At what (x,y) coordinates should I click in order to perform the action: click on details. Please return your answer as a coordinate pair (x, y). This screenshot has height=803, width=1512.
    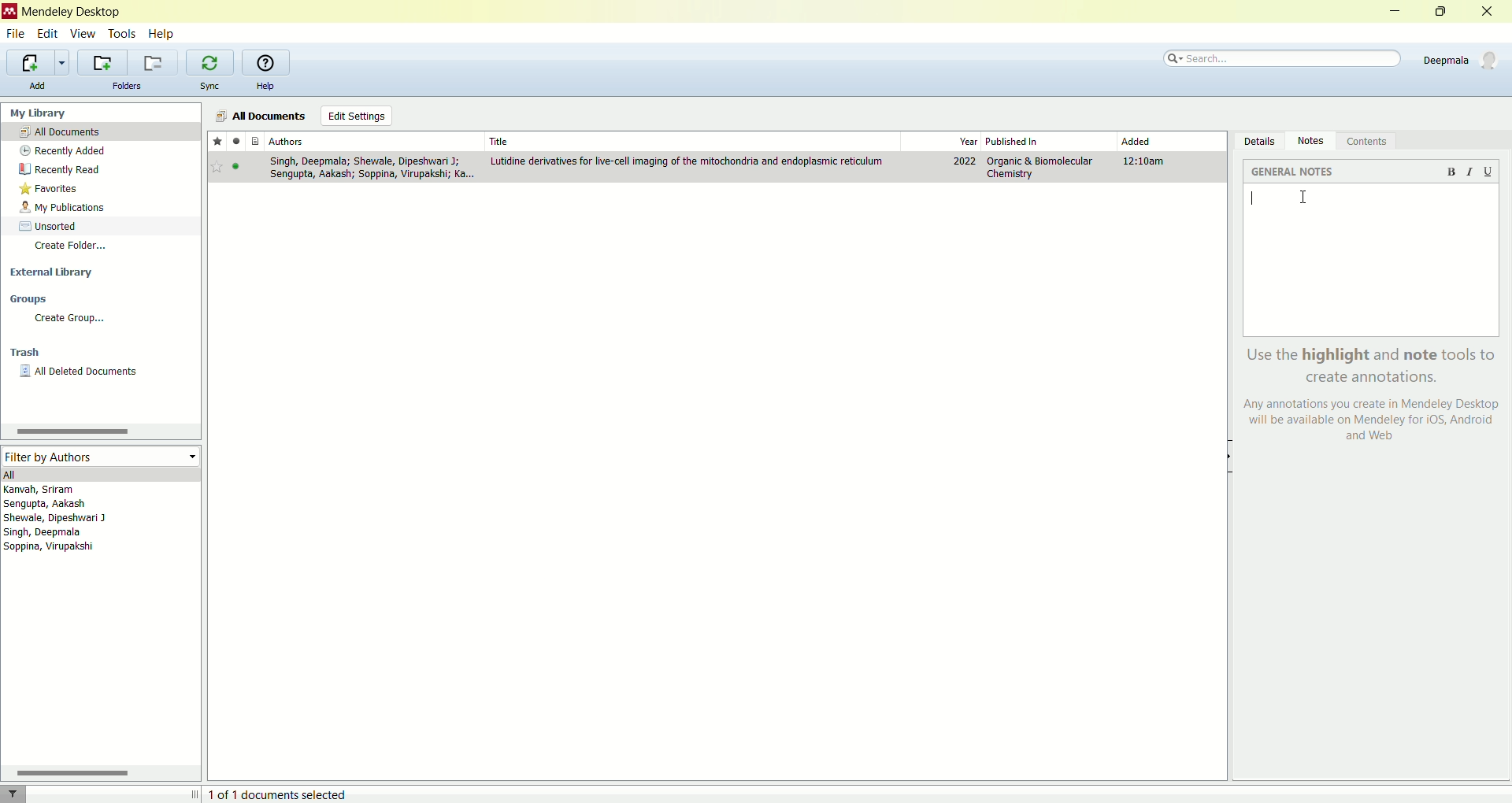
    Looking at the image, I should click on (1256, 140).